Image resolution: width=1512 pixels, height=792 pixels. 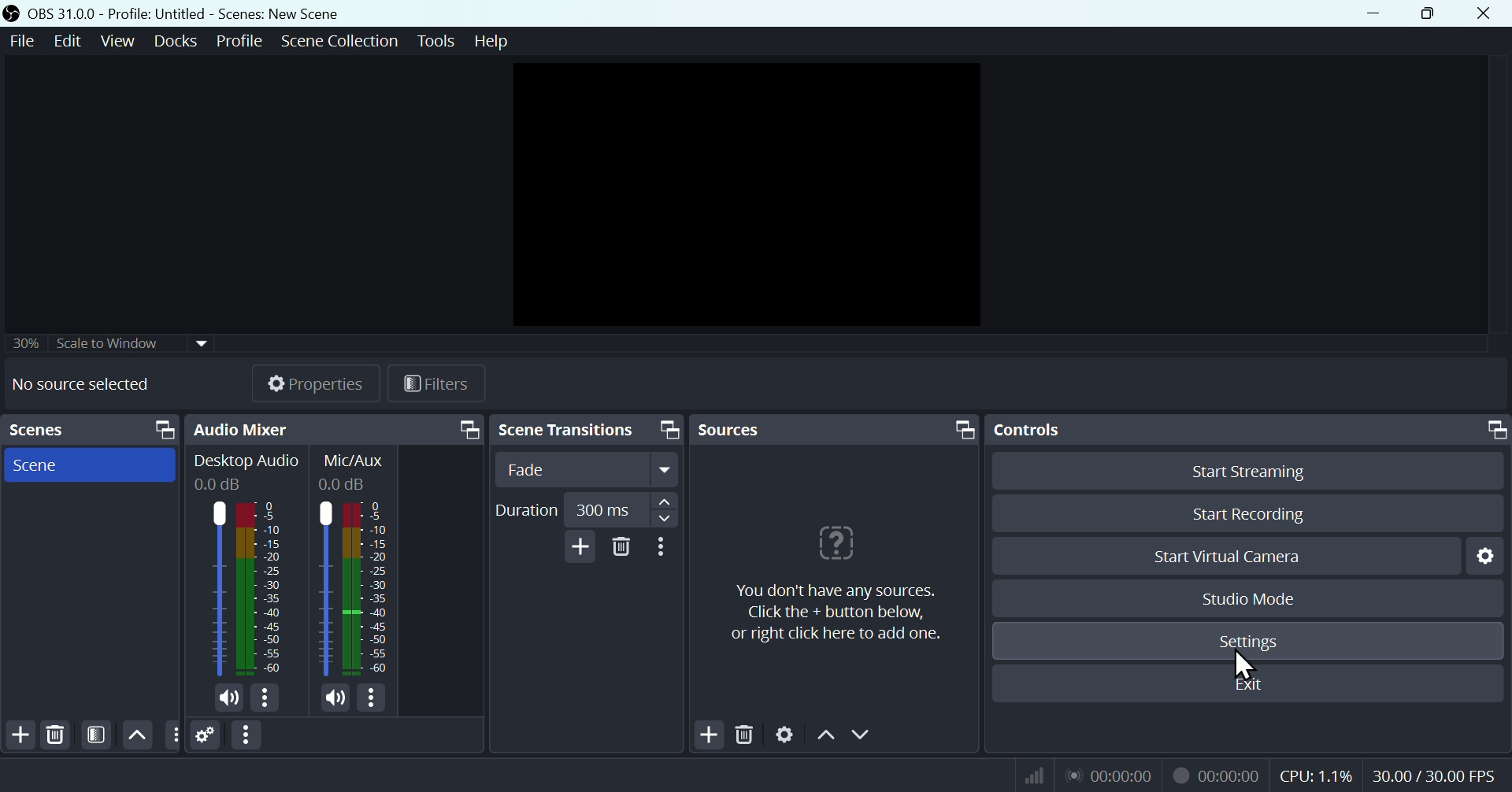 I want to click on , so click(x=172, y=735).